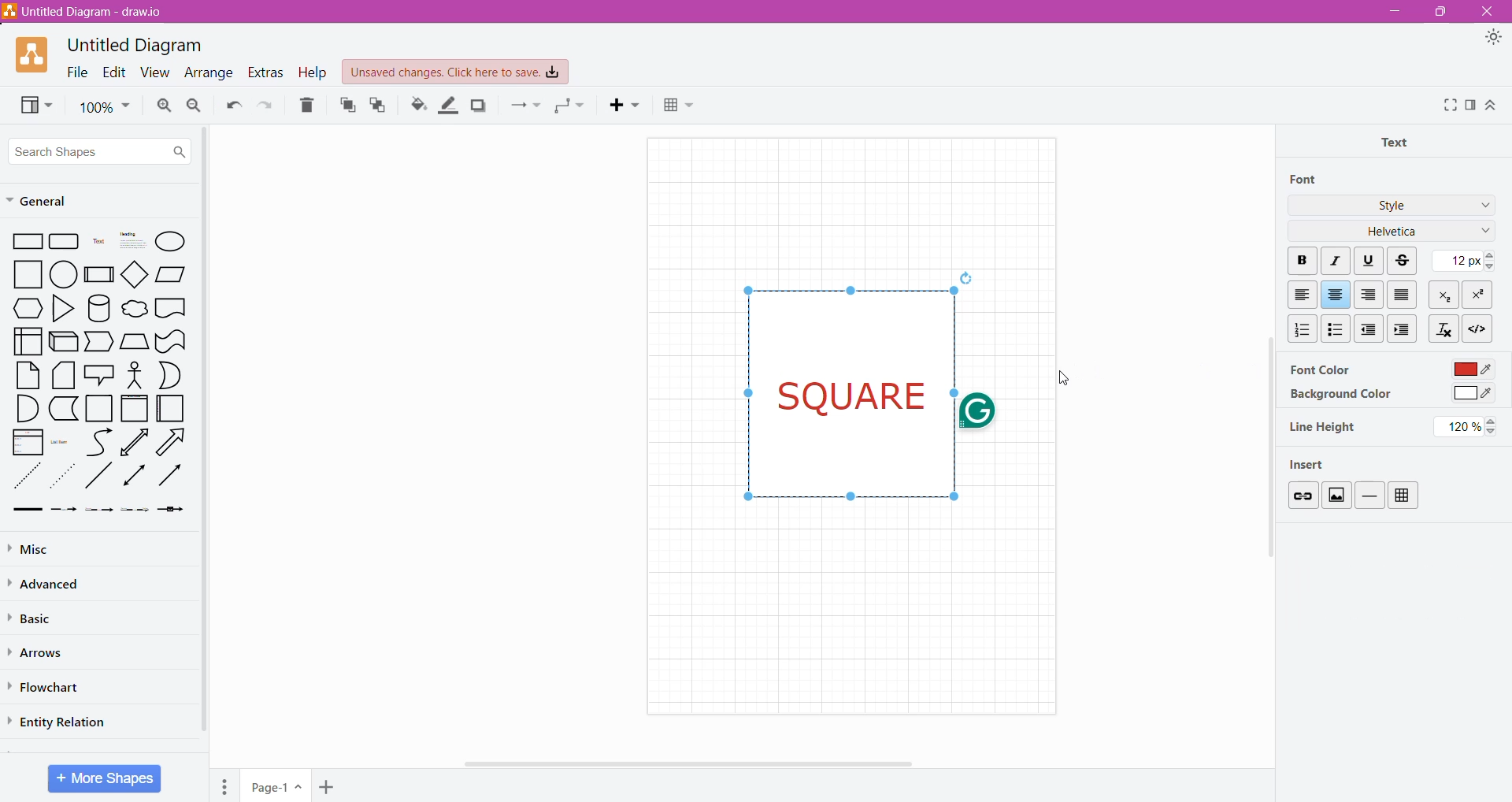 This screenshot has height=802, width=1512. Describe the element at coordinates (381, 106) in the screenshot. I see `To Back` at that location.